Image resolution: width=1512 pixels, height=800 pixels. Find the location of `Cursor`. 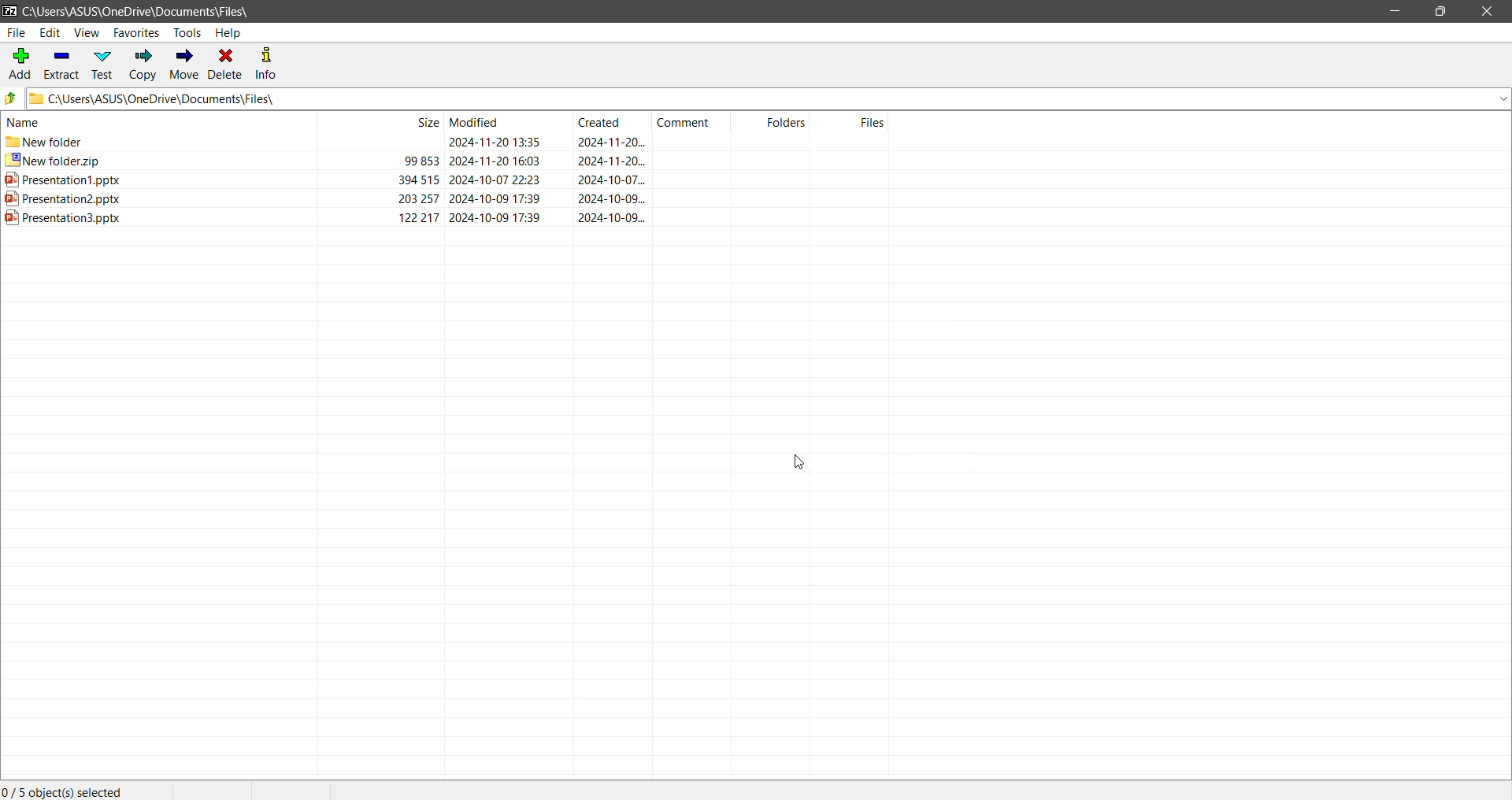

Cursor is located at coordinates (797, 463).